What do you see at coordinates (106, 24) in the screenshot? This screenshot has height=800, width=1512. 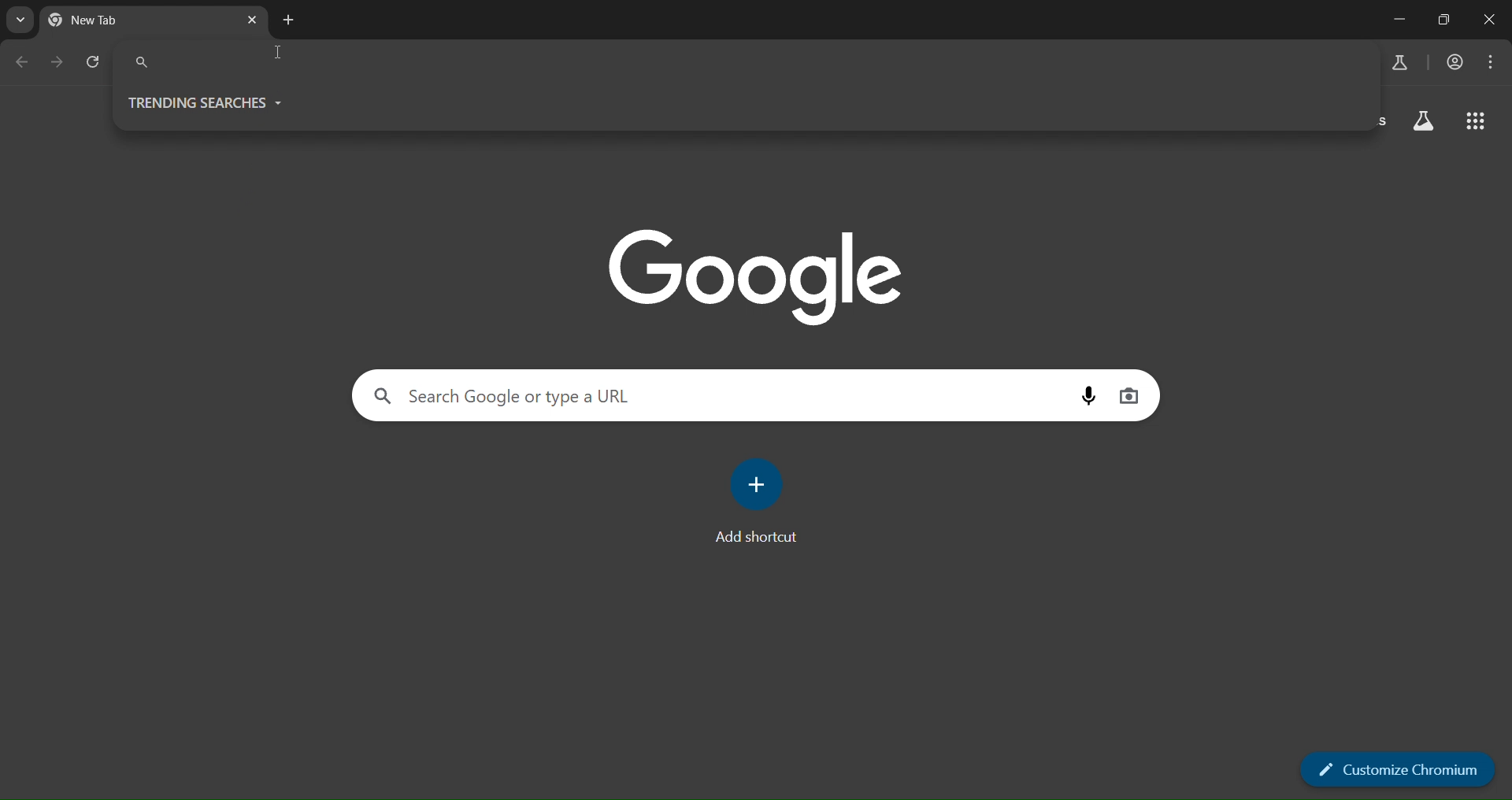 I see `new tab` at bounding box center [106, 24].